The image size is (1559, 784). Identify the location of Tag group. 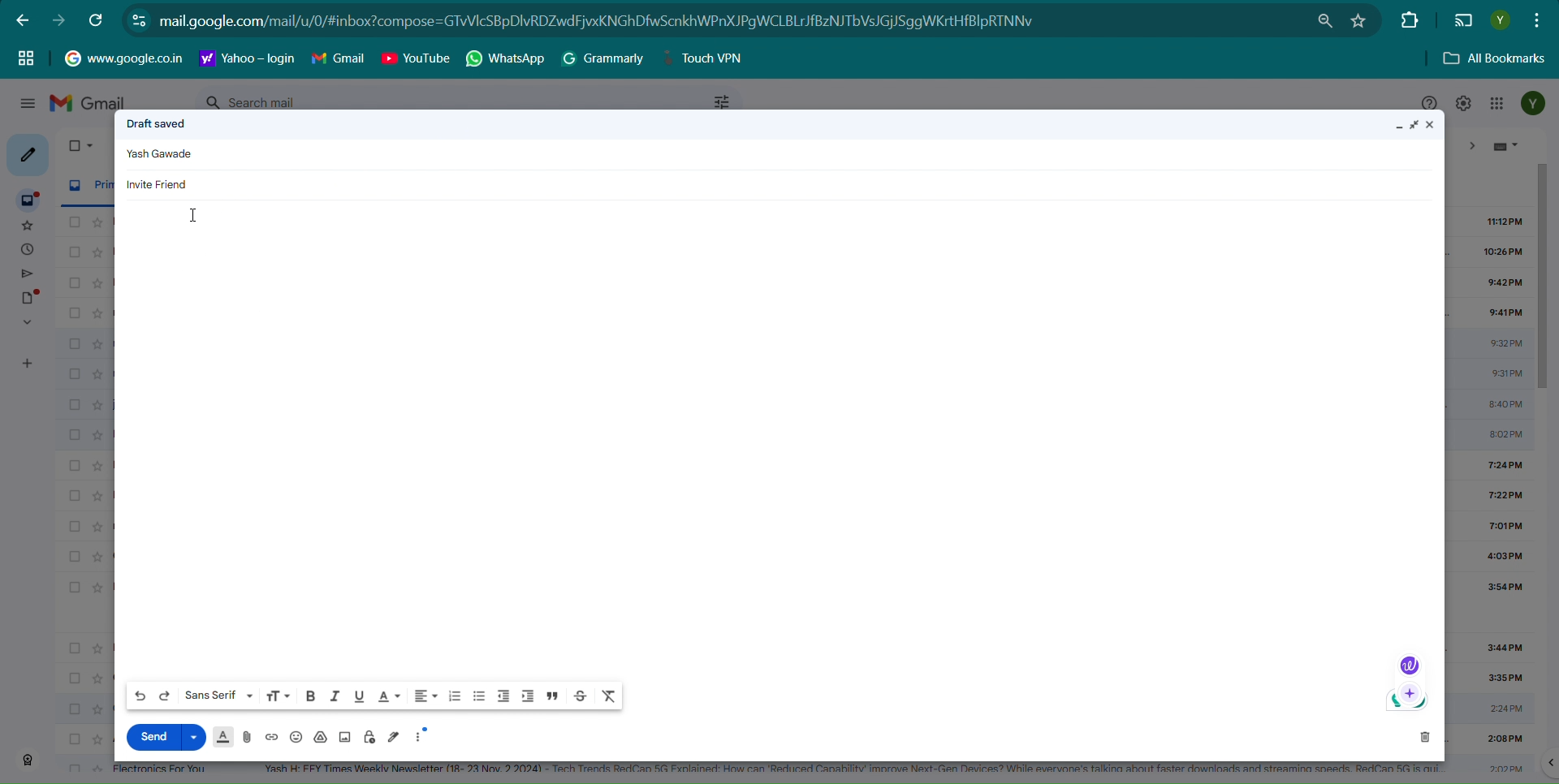
(26, 57).